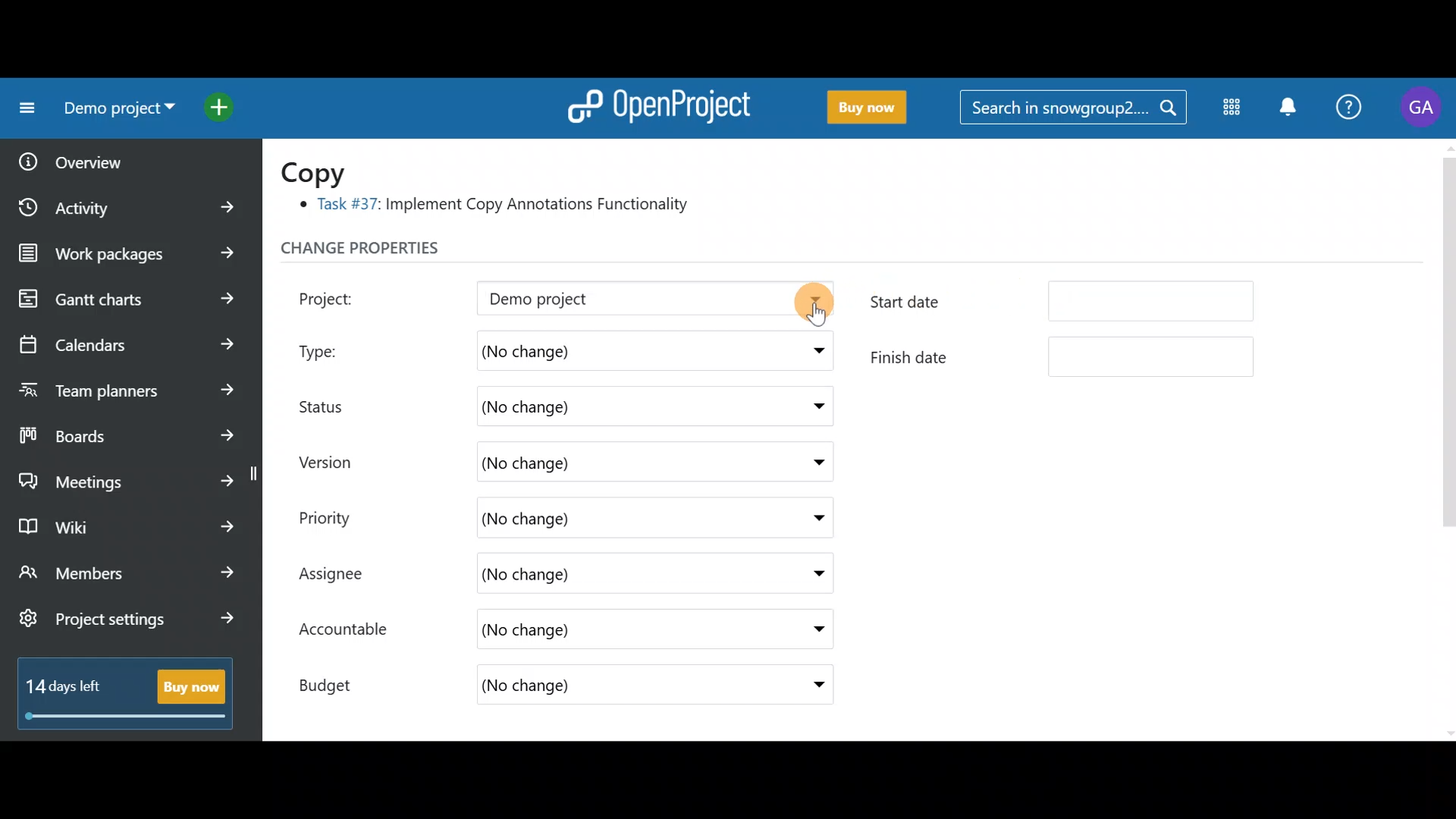 The height and width of the screenshot is (819, 1456). What do you see at coordinates (128, 431) in the screenshot?
I see `Boards` at bounding box center [128, 431].